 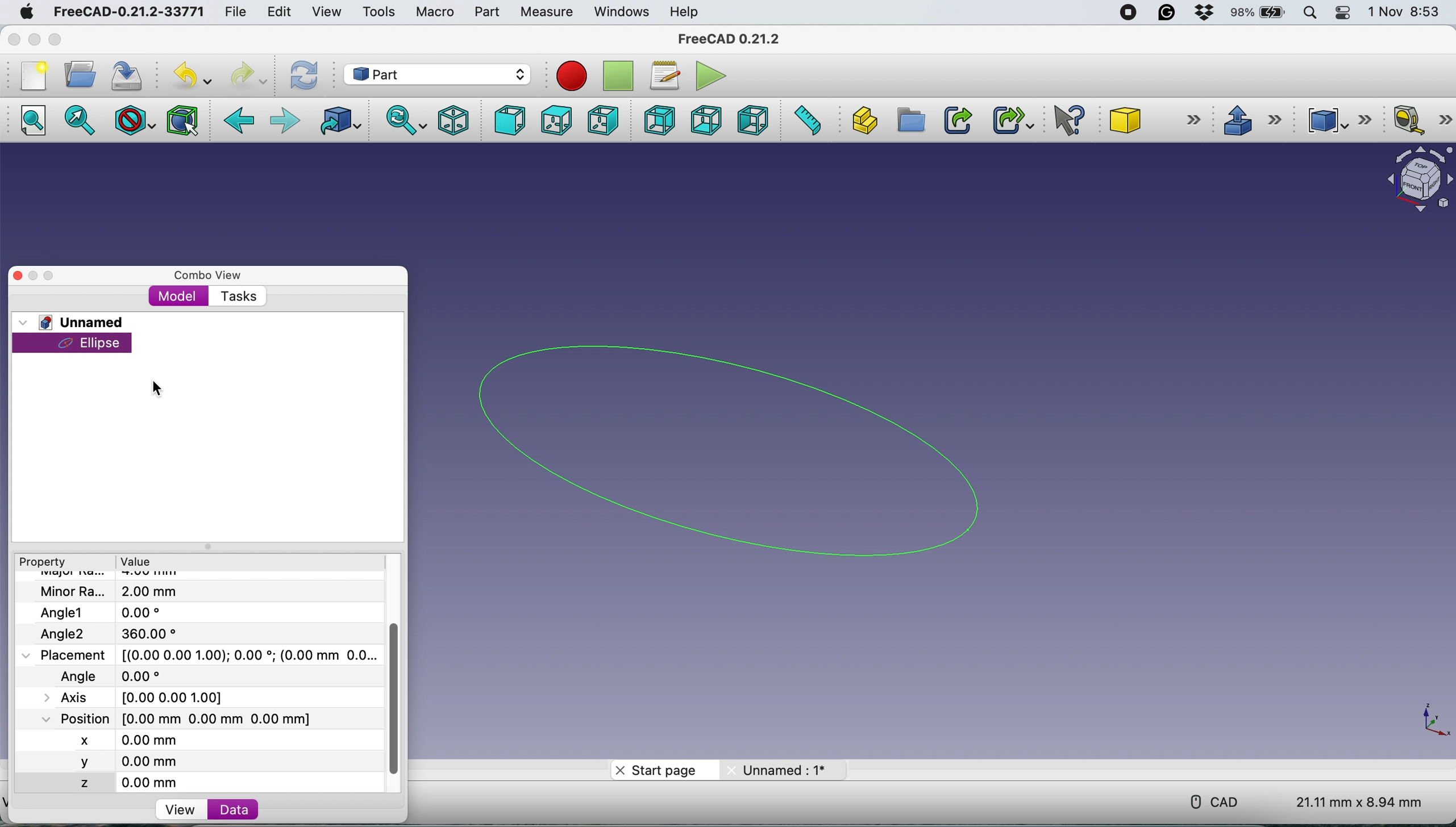 What do you see at coordinates (1254, 122) in the screenshot?
I see `extrude` at bounding box center [1254, 122].